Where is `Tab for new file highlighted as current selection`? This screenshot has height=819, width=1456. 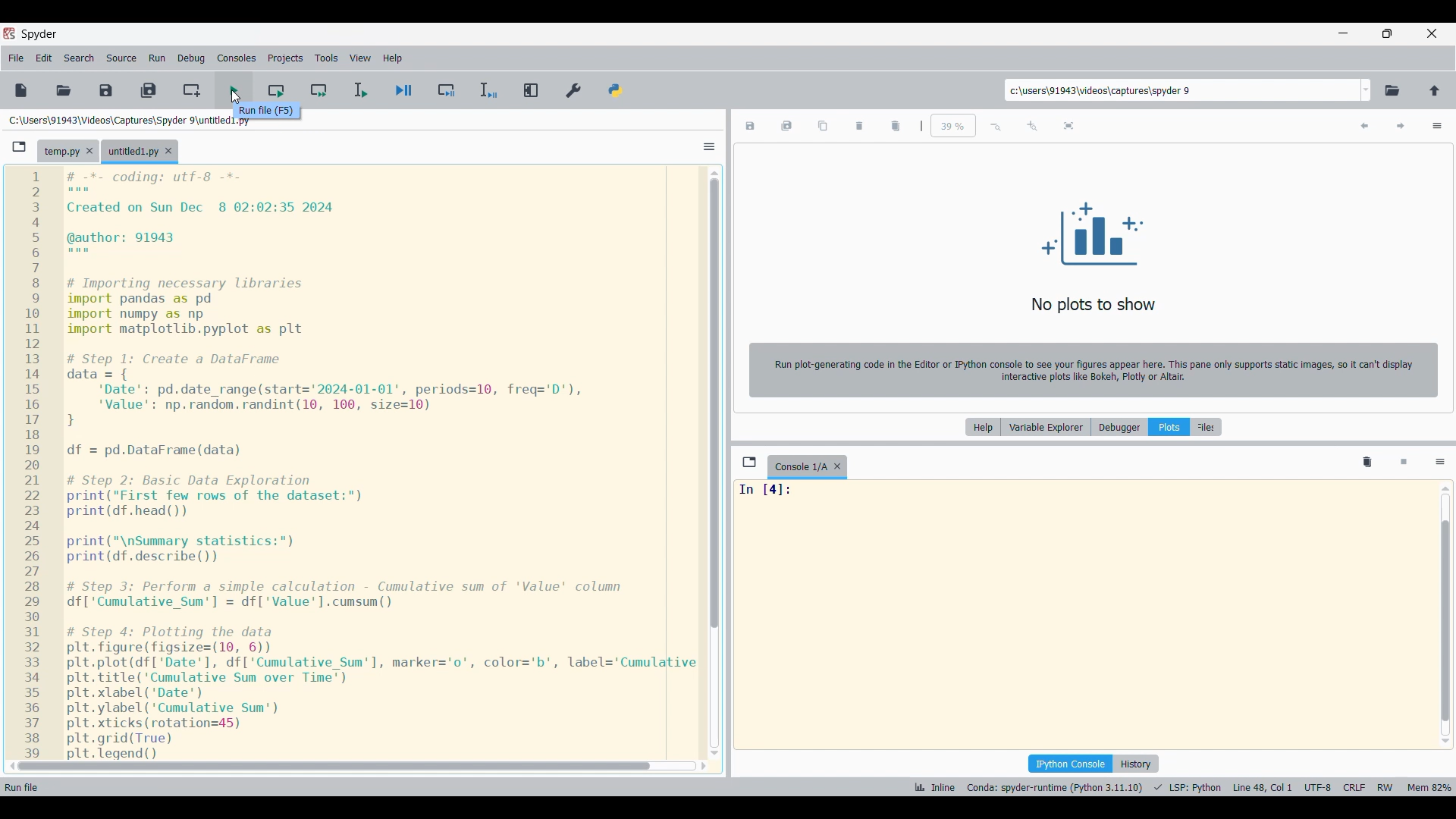
Tab for new file highlighted as current selection is located at coordinates (130, 150).